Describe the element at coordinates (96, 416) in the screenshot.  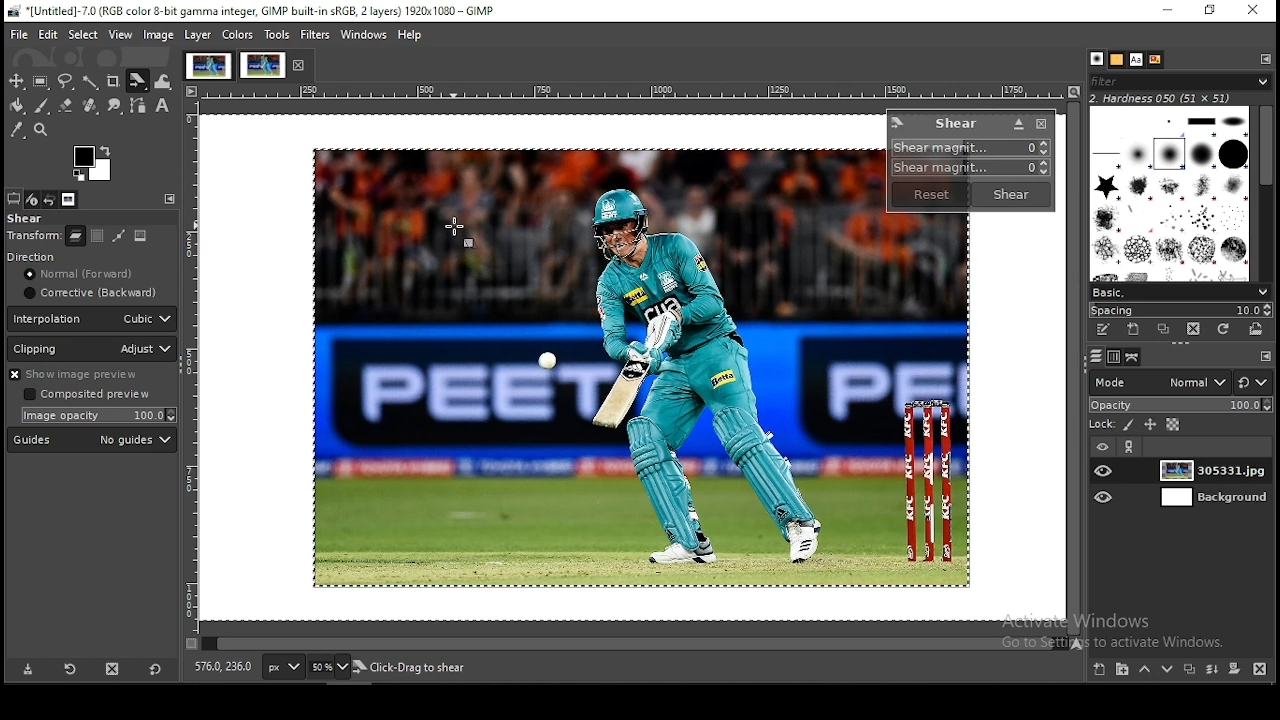
I see `image opacity` at that location.